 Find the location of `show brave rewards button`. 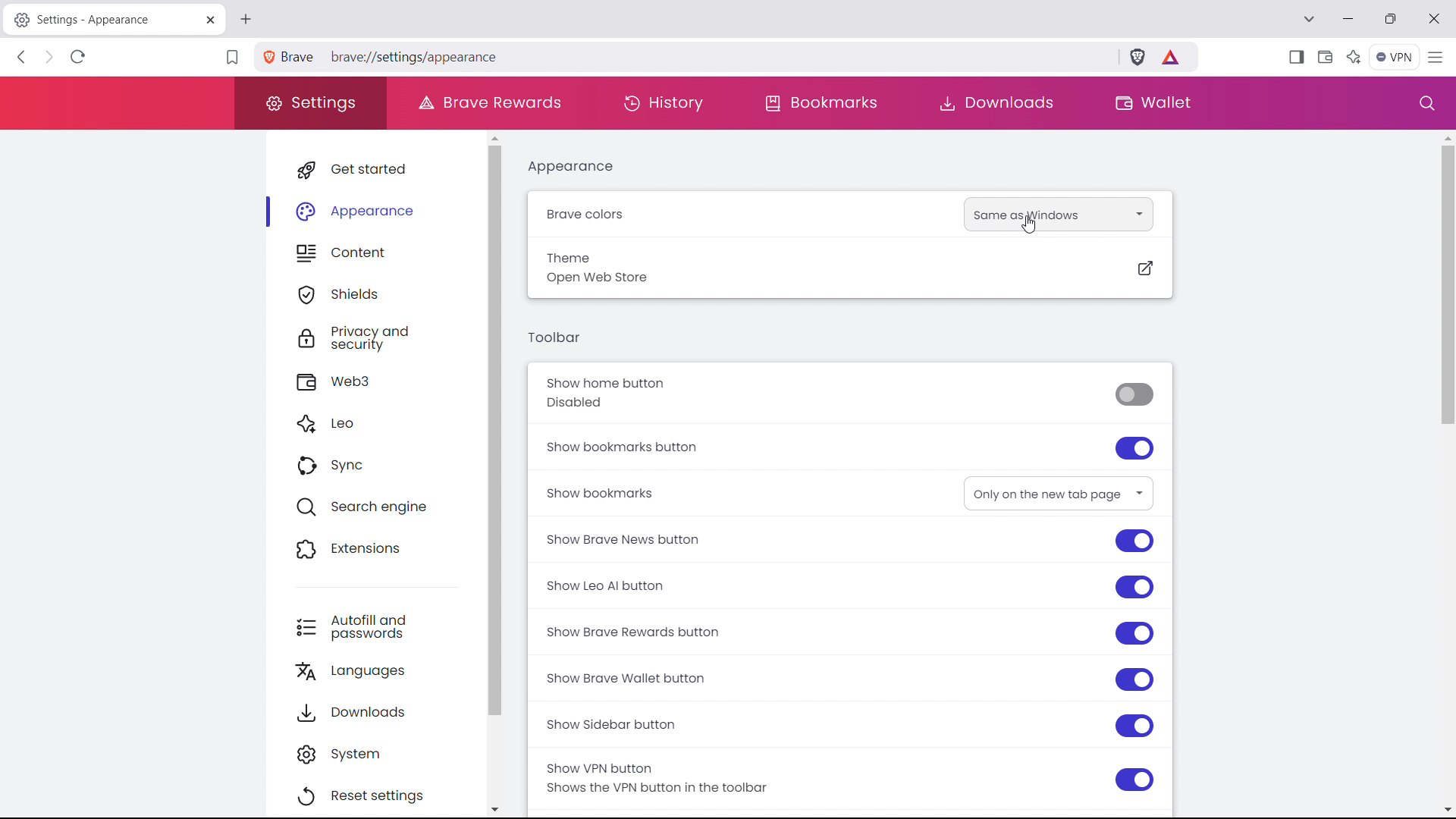

show brave rewards button is located at coordinates (846, 632).